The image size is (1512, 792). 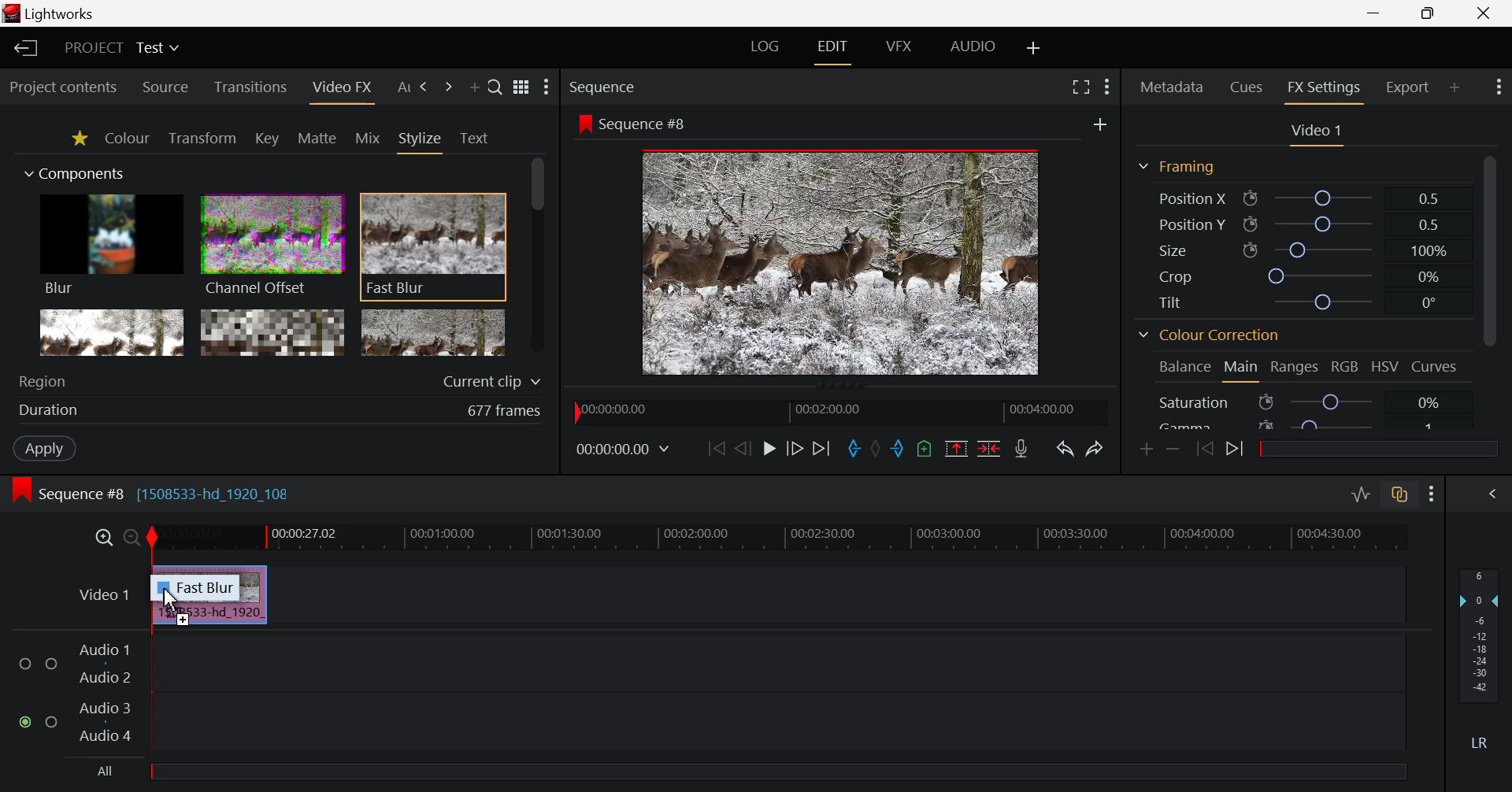 I want to click on Timeline Zoom Out, so click(x=129, y=535).